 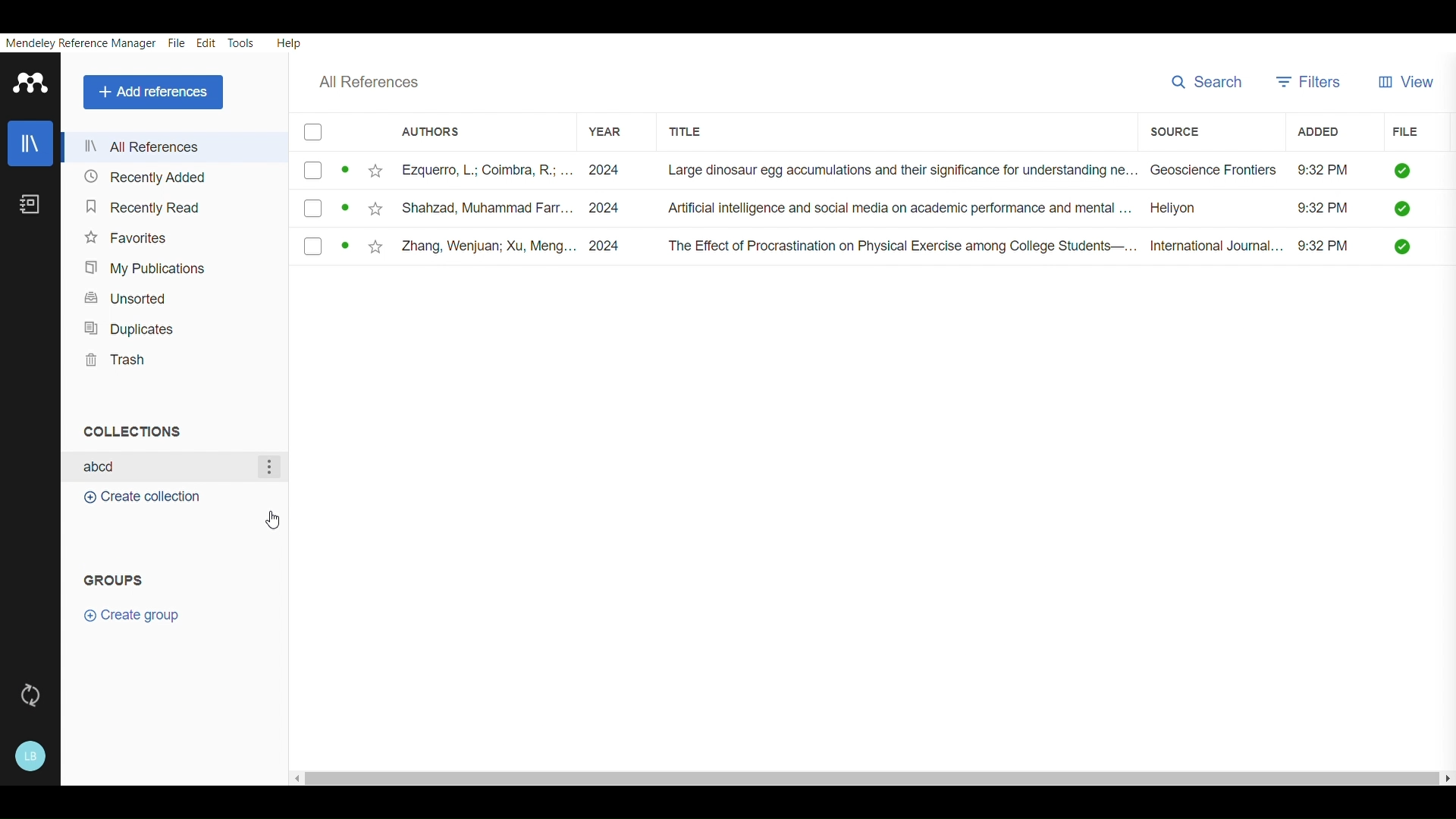 I want to click on Create Collection, so click(x=150, y=497).